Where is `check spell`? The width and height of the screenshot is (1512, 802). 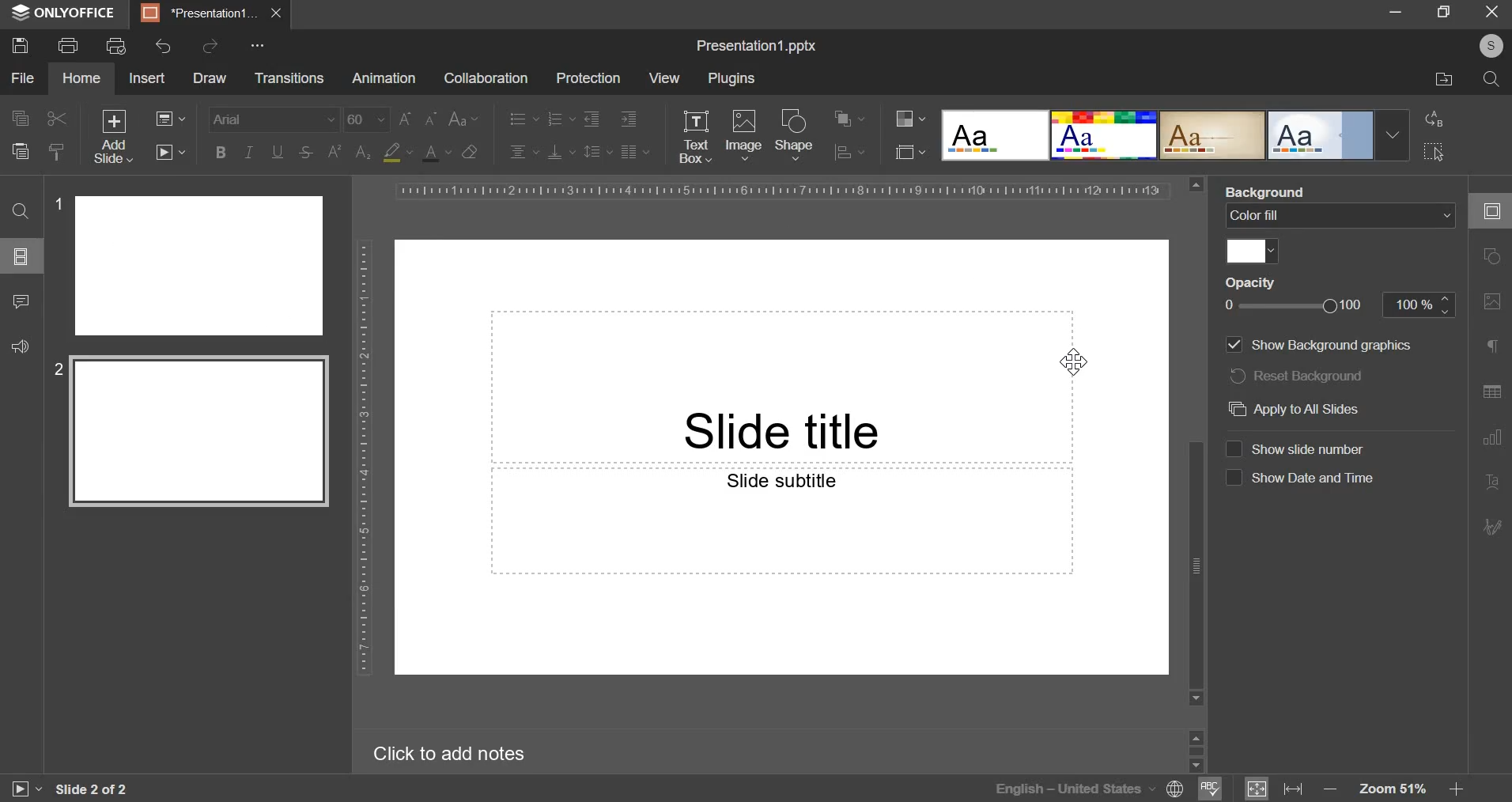 check spell is located at coordinates (1208, 789).